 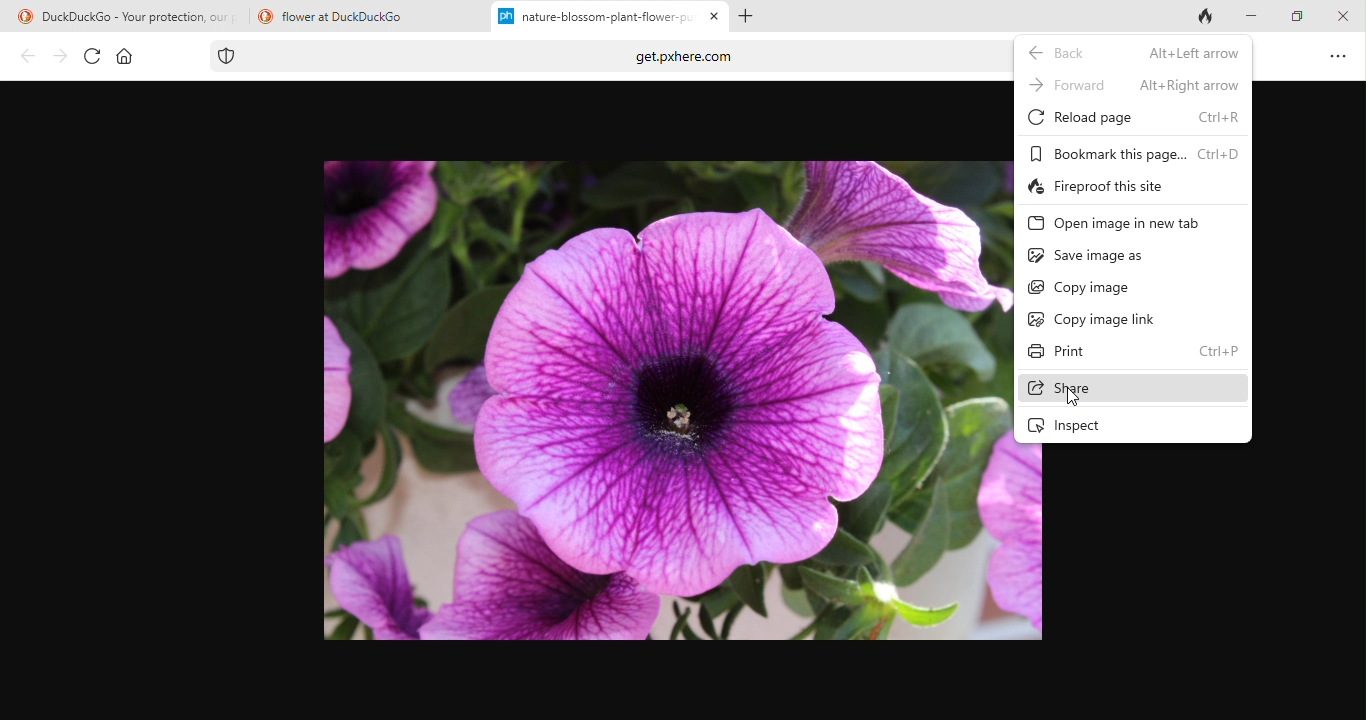 I want to click on back, so click(x=23, y=58).